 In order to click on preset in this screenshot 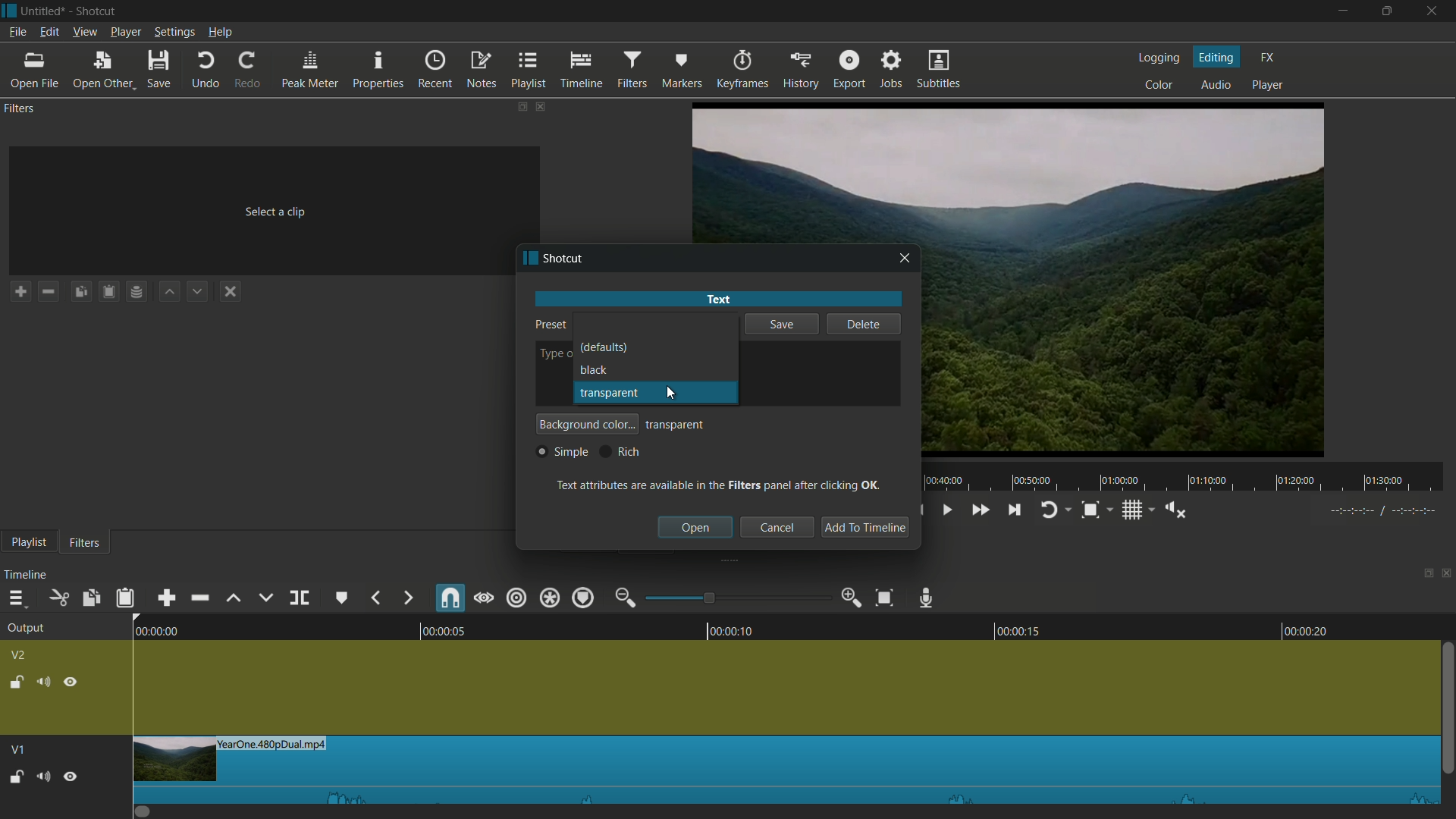, I will do `click(548, 324)`.